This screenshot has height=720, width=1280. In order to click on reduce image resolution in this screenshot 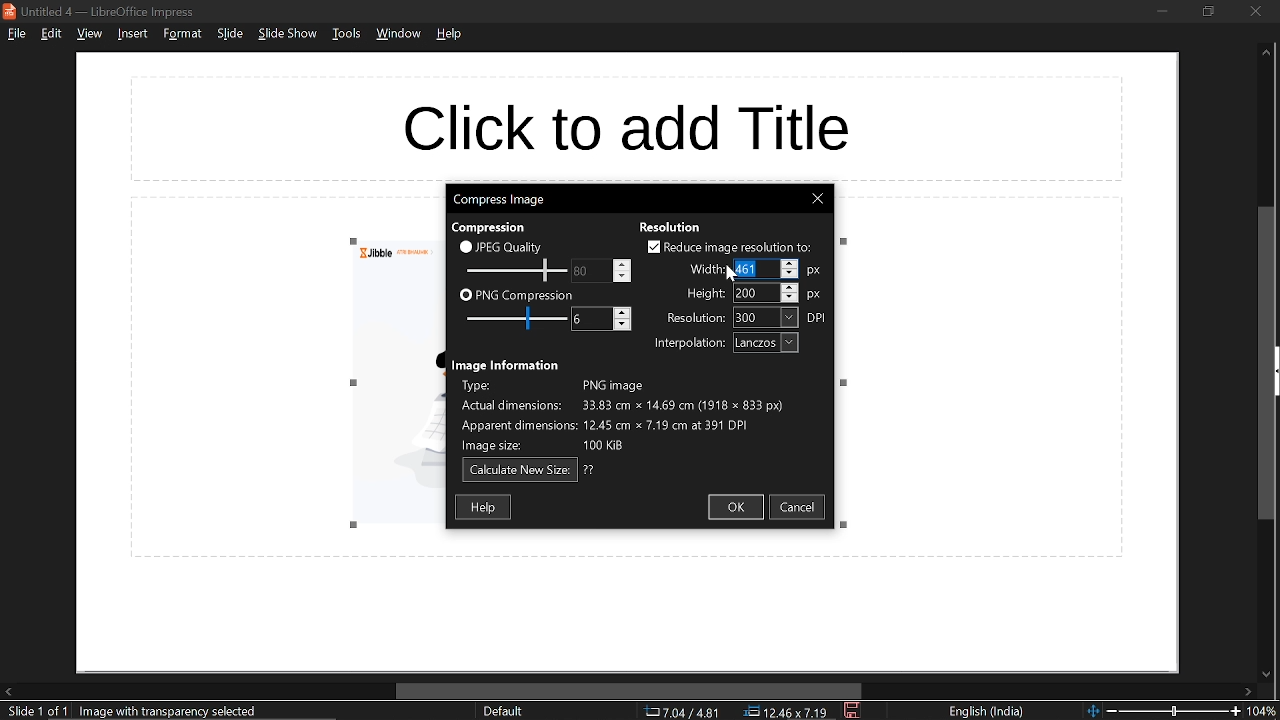, I will do `click(740, 247)`.